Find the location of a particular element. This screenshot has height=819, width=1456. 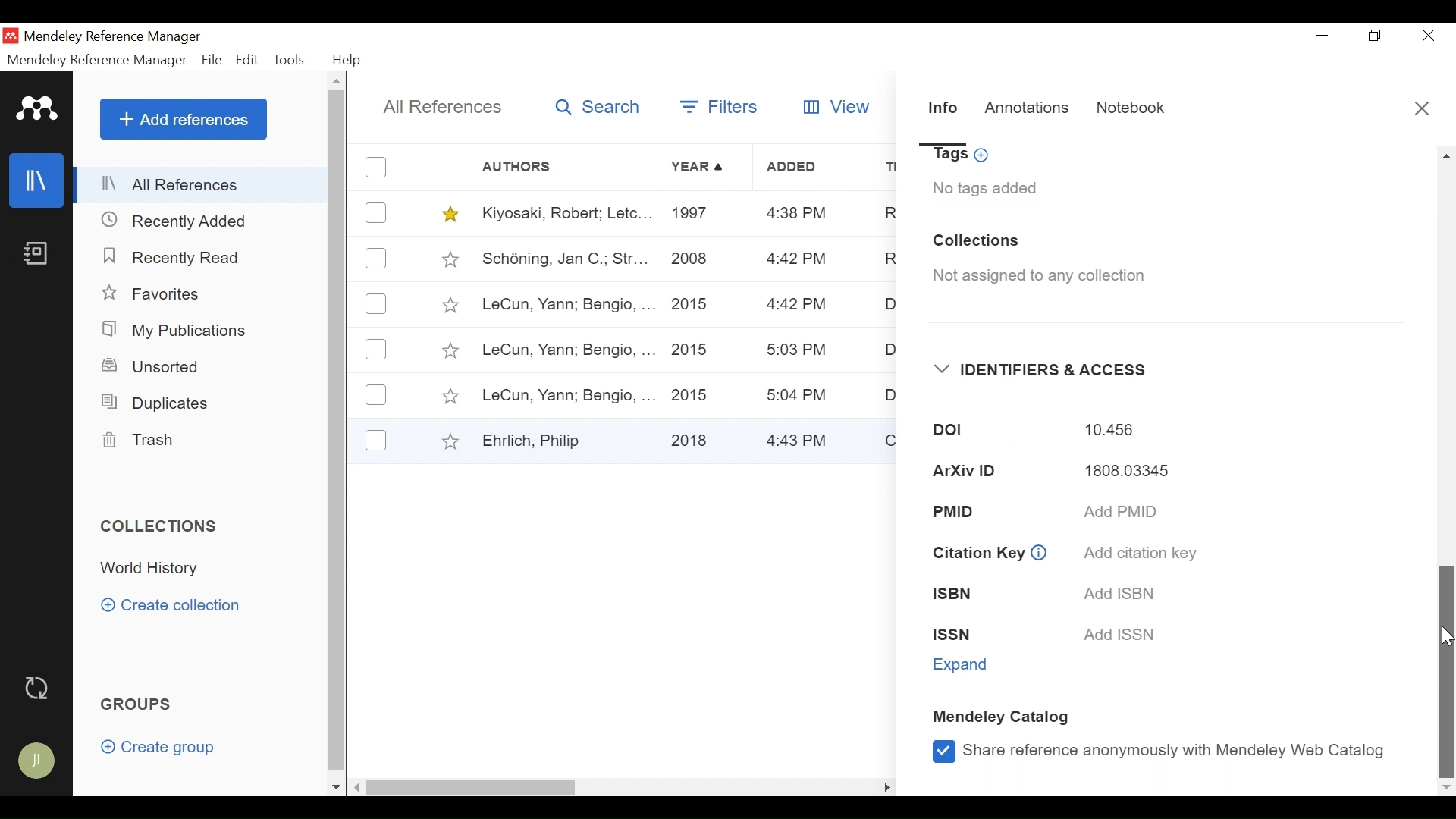

5:03 PM is located at coordinates (799, 352).